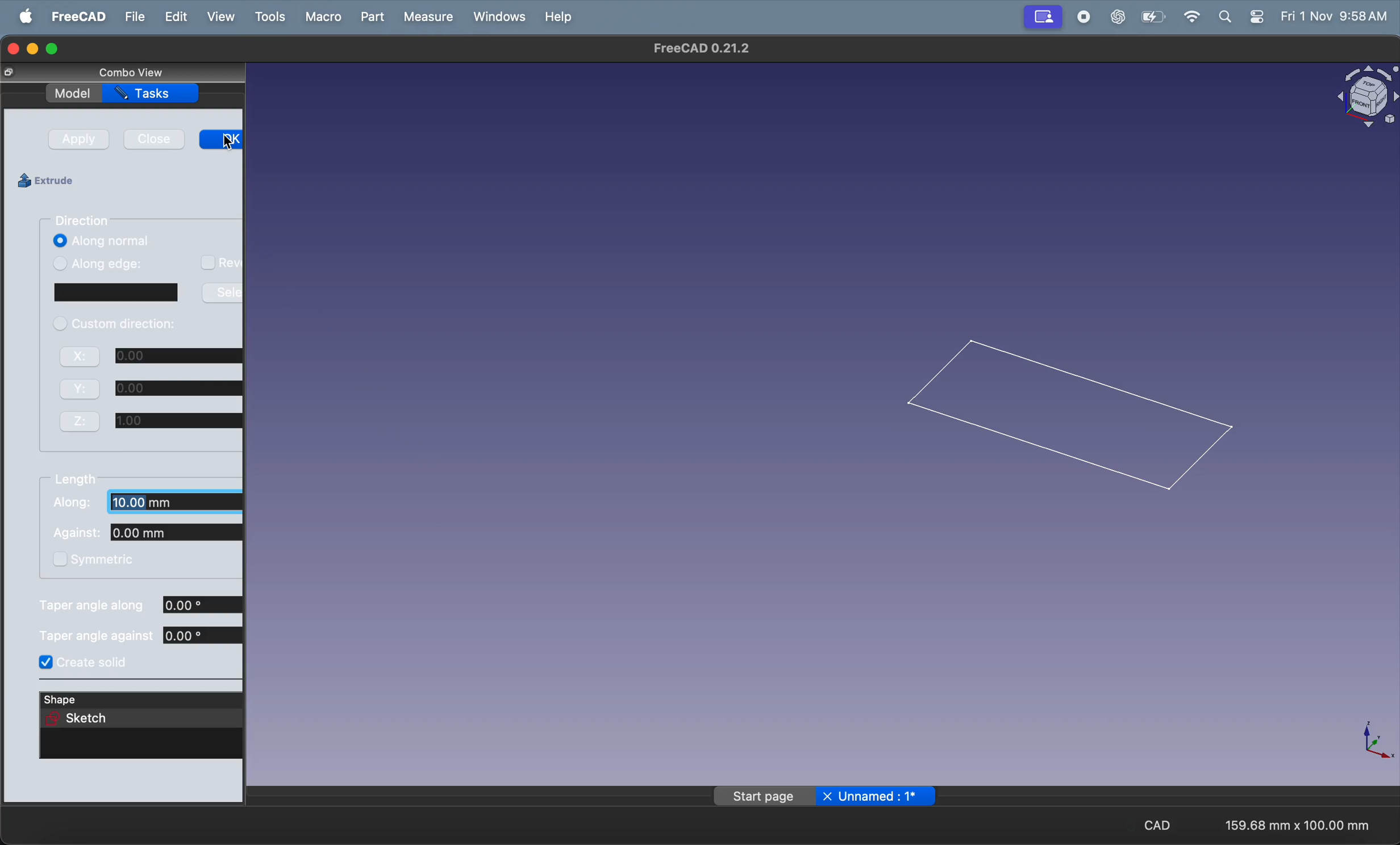 This screenshot has height=845, width=1400. I want to click on windows, so click(495, 18).